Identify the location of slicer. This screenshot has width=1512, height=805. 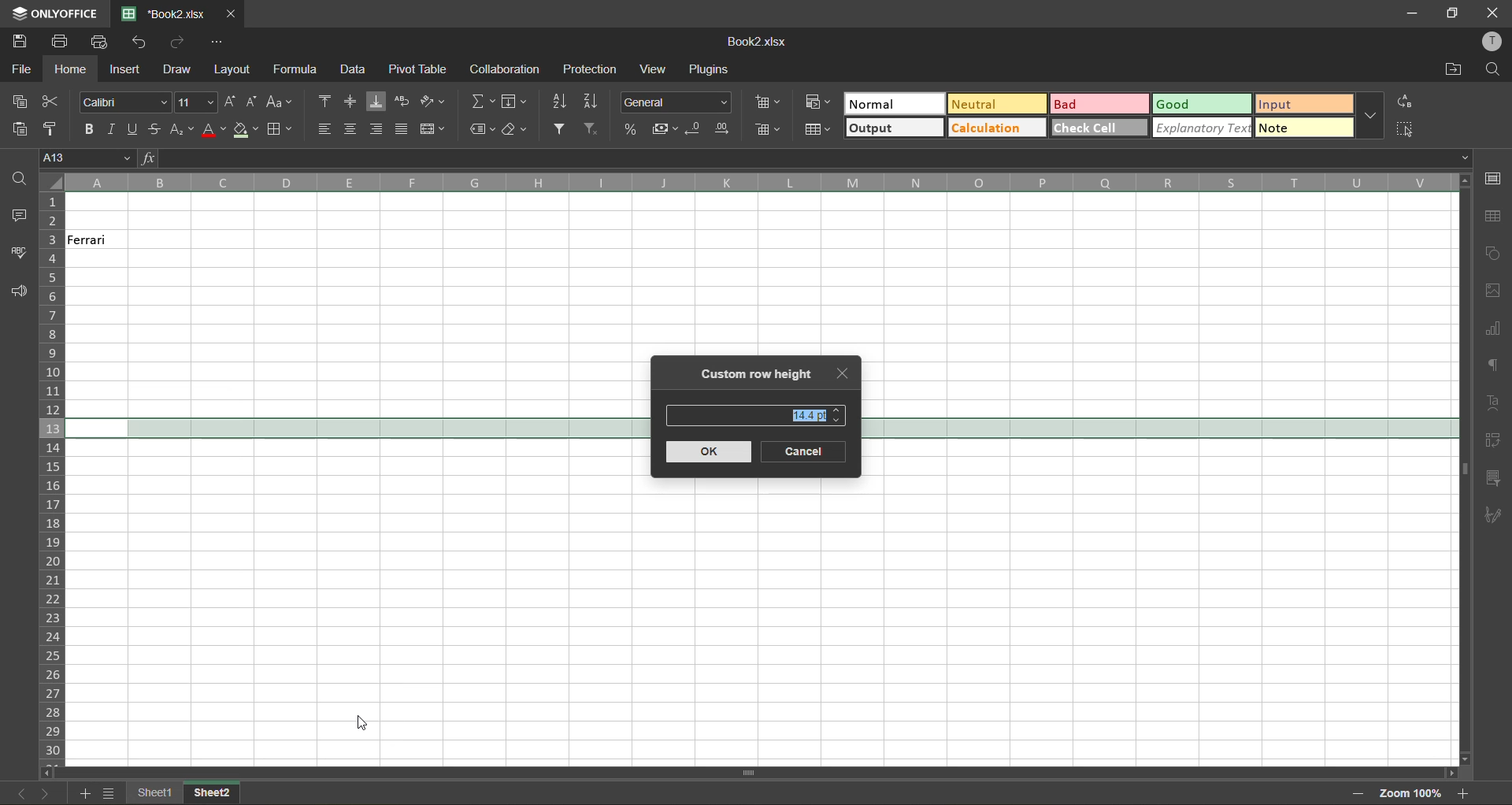
(1495, 480).